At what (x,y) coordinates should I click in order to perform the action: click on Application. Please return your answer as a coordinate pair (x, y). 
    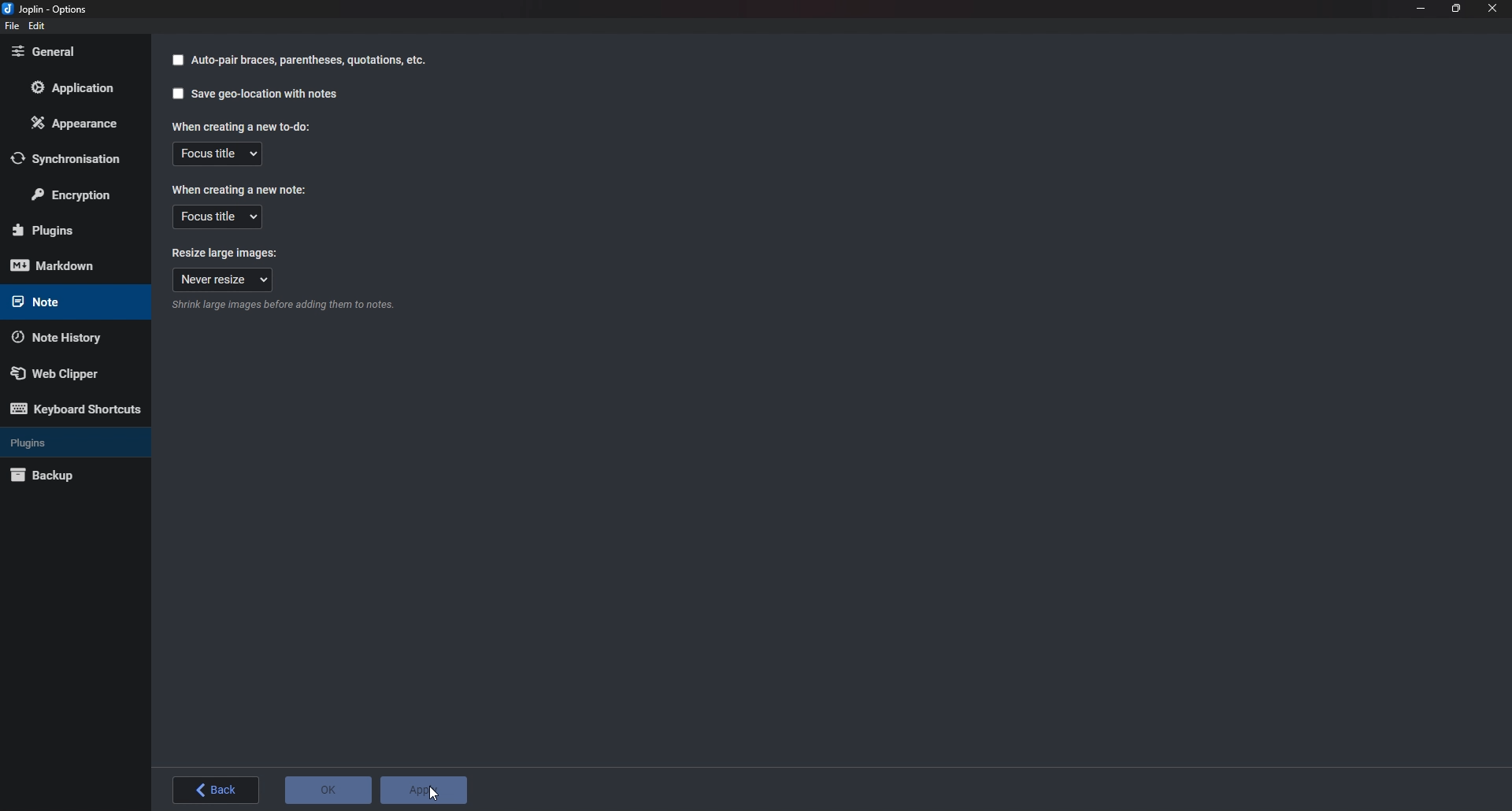
    Looking at the image, I should click on (80, 87).